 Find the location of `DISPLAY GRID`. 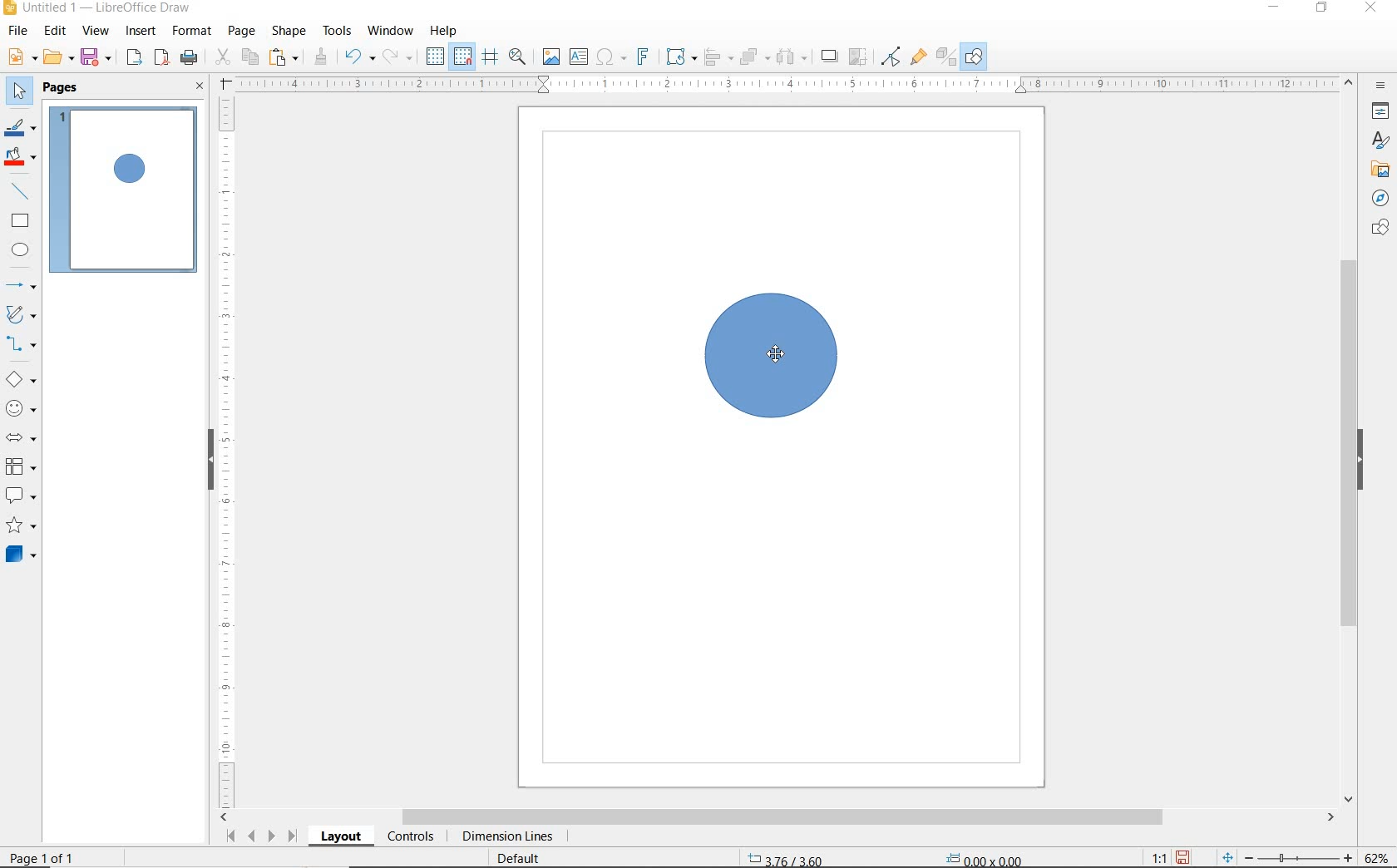

DISPLAY GRID is located at coordinates (434, 57).